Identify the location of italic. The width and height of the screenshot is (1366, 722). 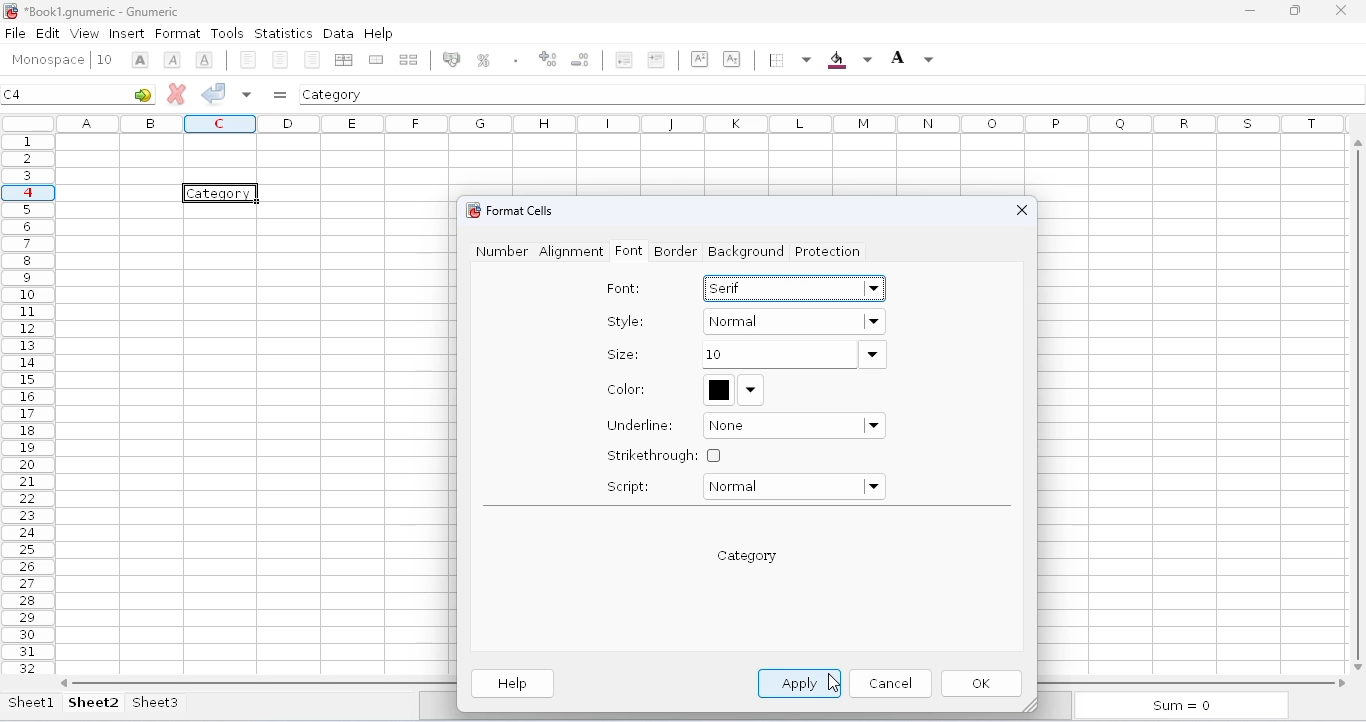
(172, 60).